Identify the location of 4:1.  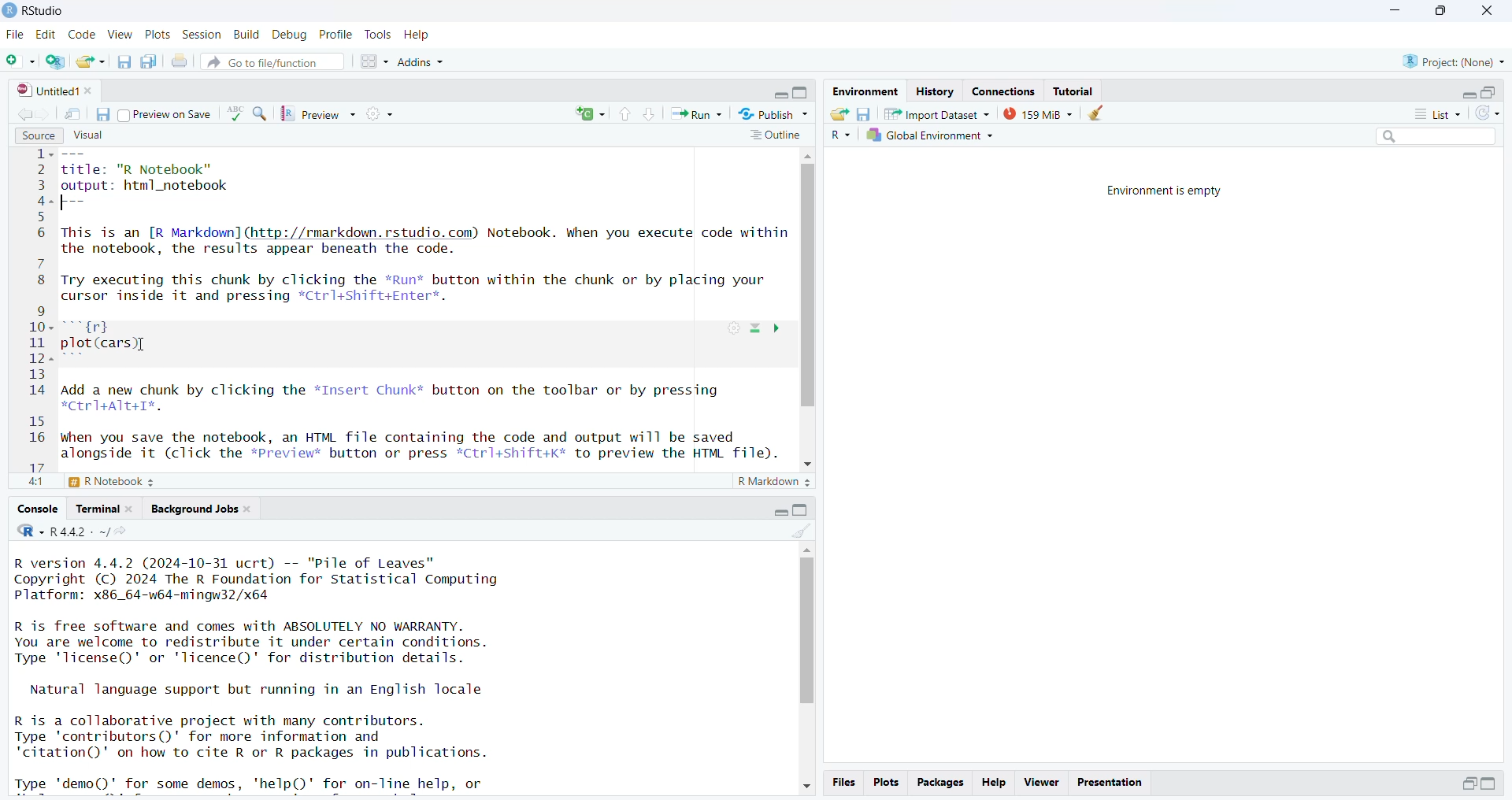
(35, 483).